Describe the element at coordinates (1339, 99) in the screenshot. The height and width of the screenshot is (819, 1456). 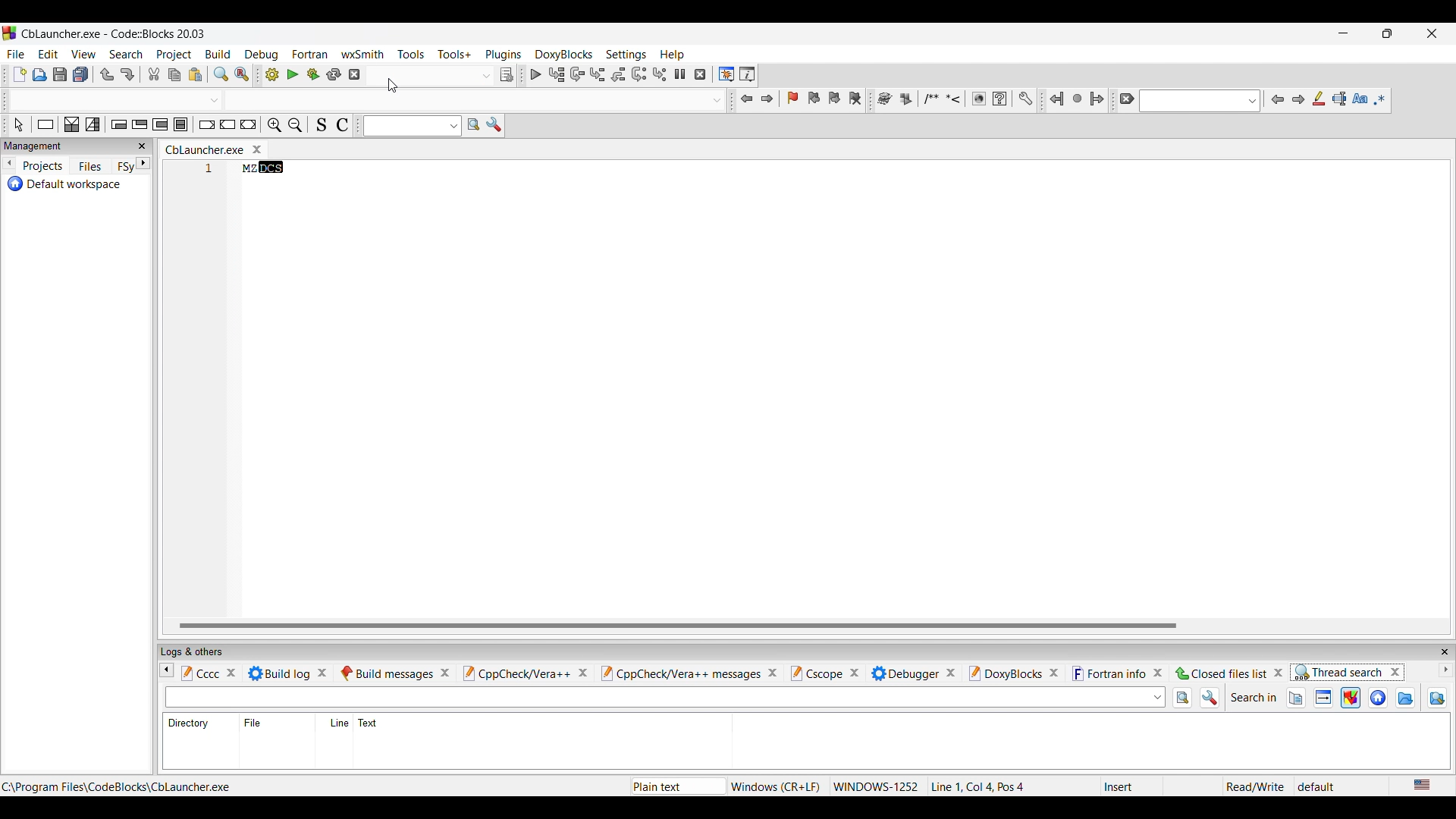
I see `Selected text` at that location.